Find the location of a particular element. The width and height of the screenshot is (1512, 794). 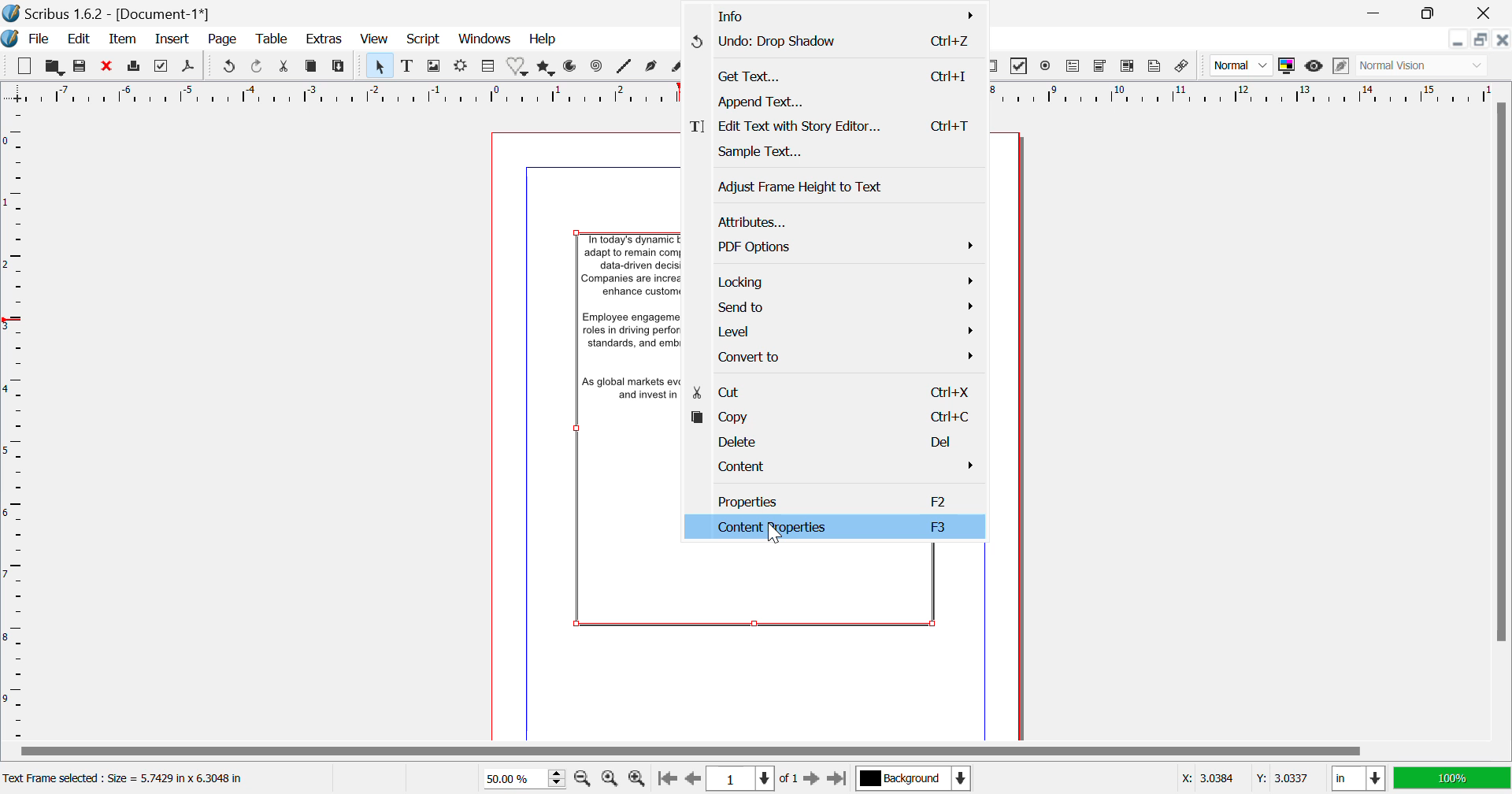

Zoom 50% is located at coordinates (523, 777).